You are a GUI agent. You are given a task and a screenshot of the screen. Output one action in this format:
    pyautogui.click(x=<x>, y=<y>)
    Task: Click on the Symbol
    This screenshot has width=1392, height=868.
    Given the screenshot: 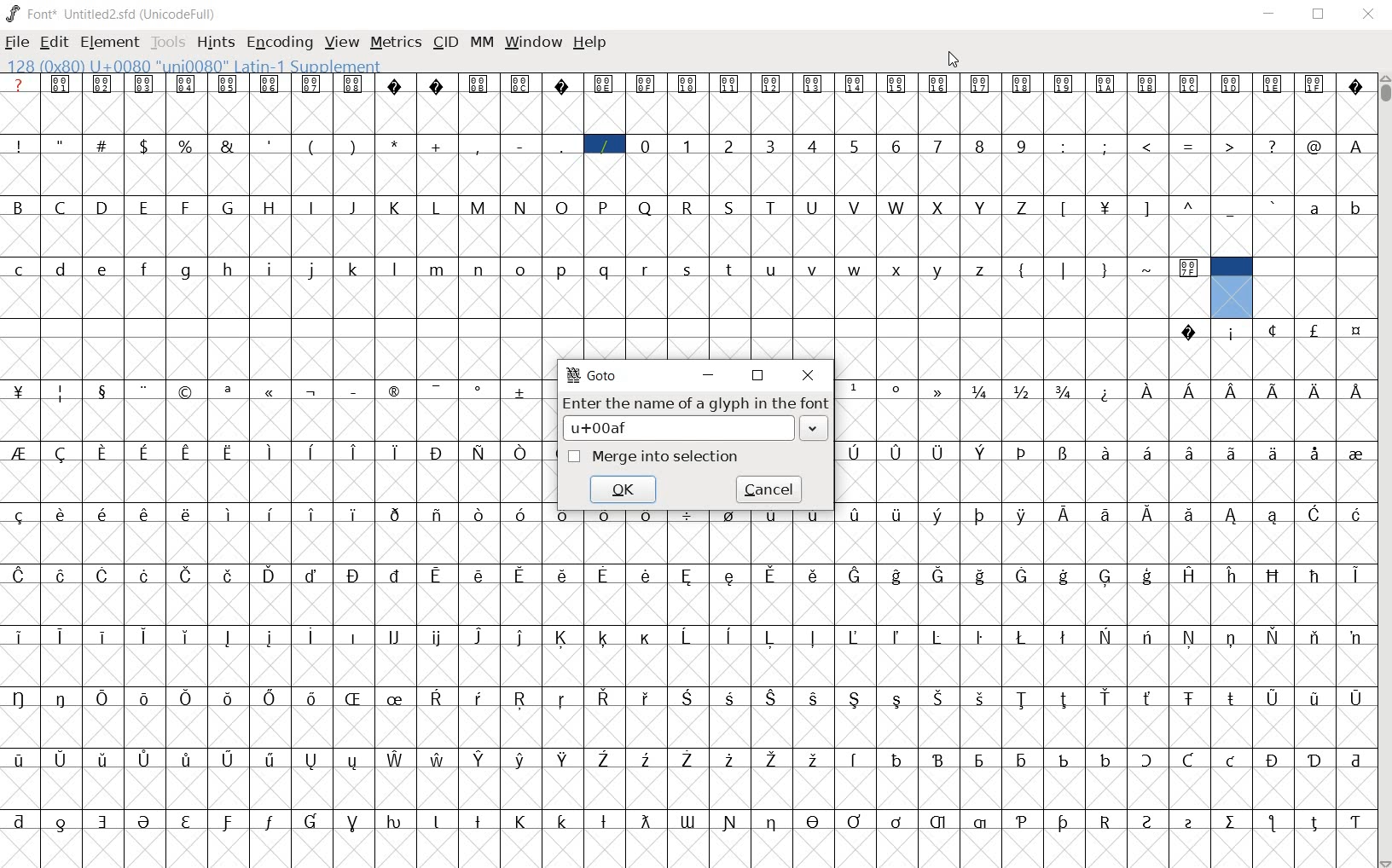 What is the action you would take?
    pyautogui.click(x=897, y=453)
    